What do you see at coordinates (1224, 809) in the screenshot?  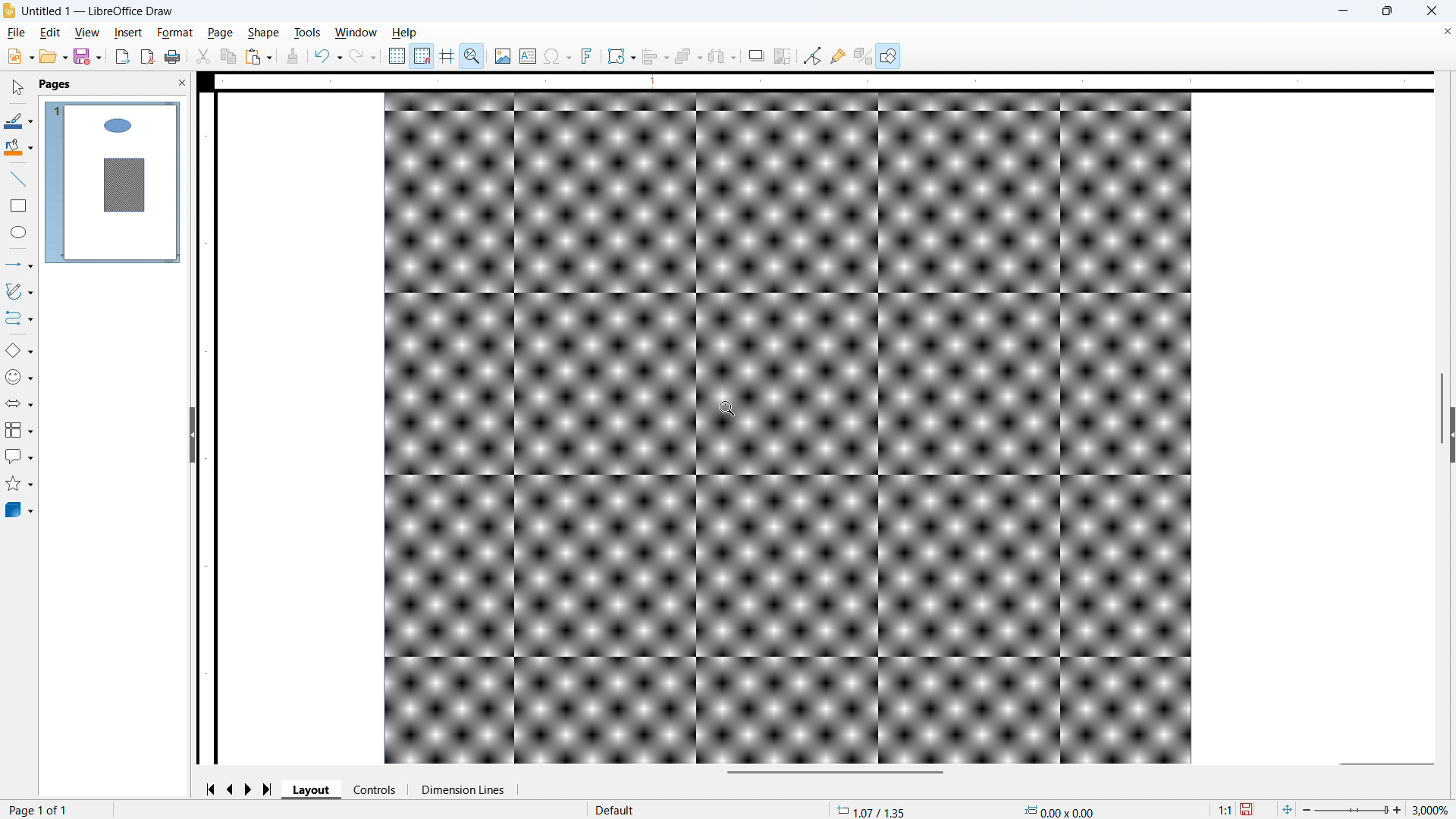 I see `Scaling factor ` at bounding box center [1224, 809].